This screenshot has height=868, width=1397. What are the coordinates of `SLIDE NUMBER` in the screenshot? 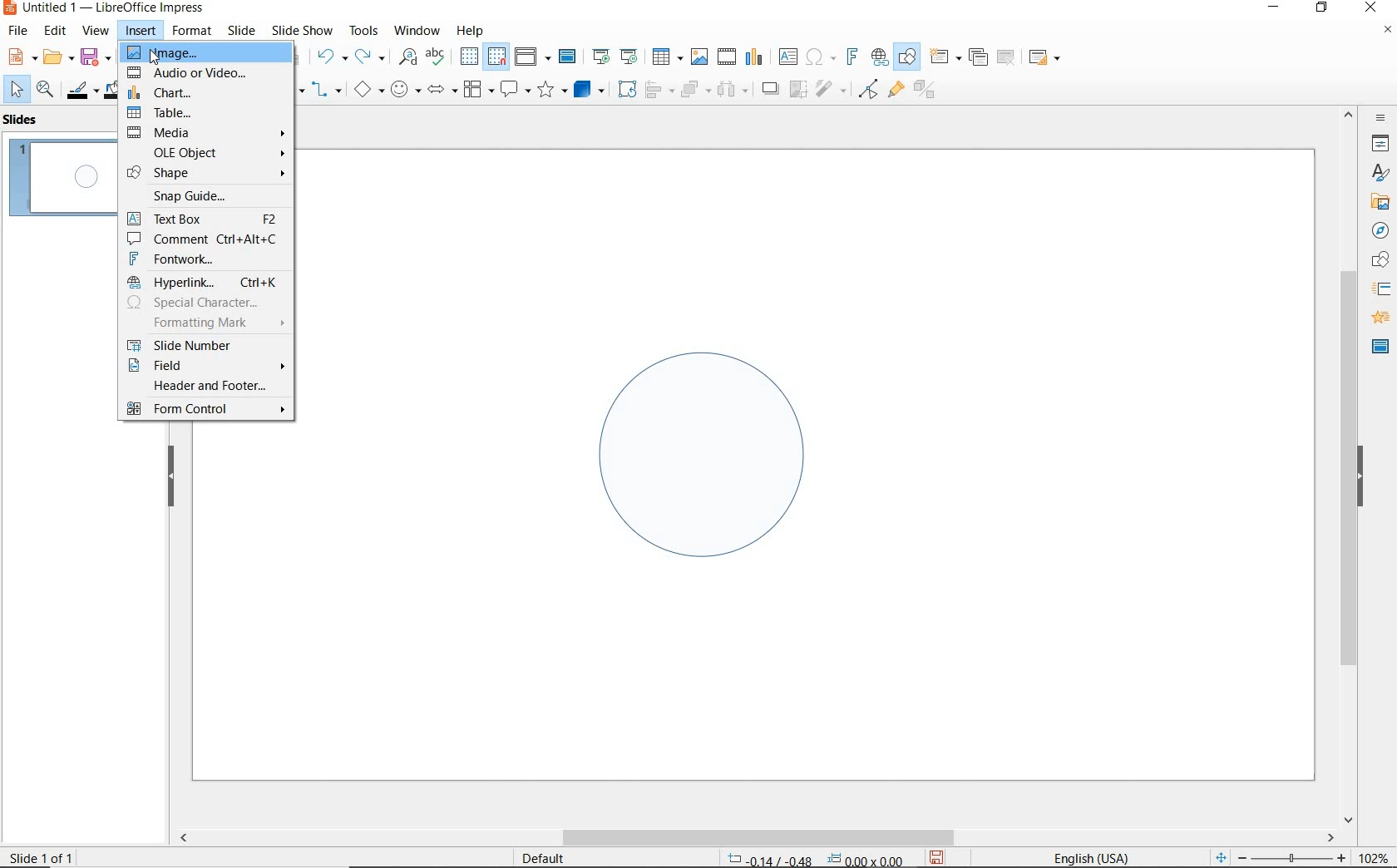 It's located at (205, 343).